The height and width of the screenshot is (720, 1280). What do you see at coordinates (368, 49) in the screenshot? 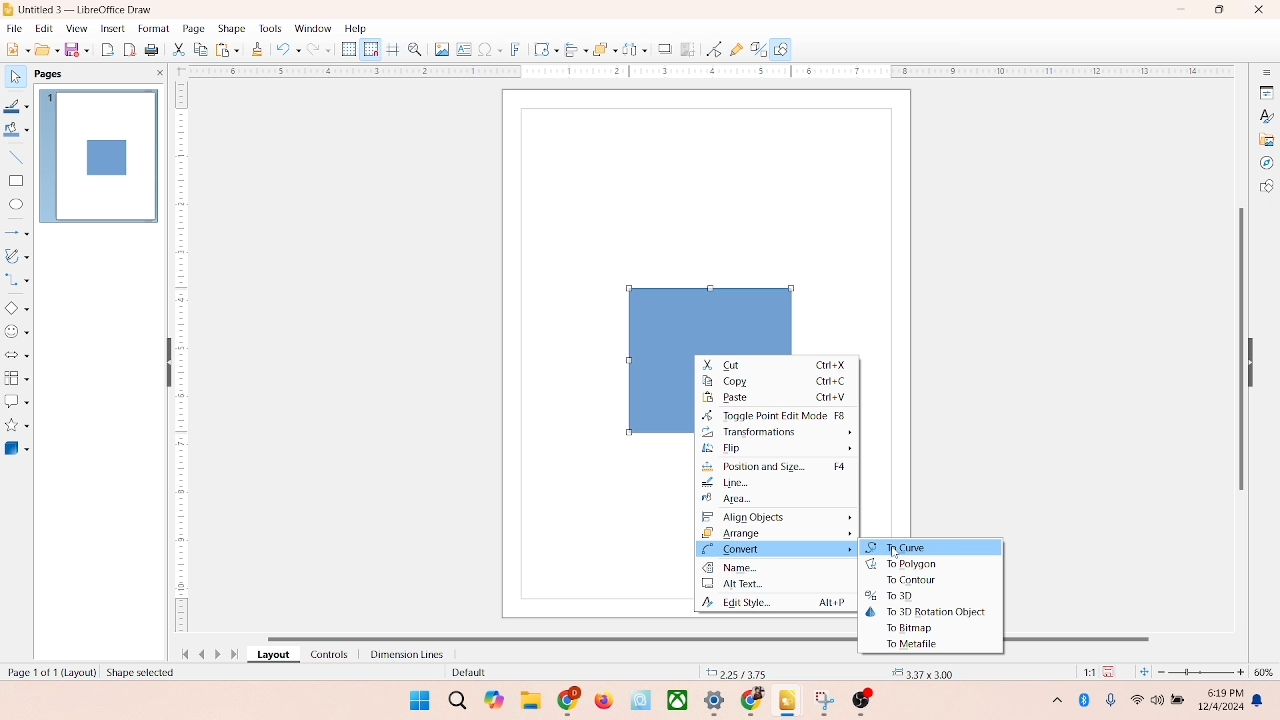
I see `snap to grid` at bounding box center [368, 49].